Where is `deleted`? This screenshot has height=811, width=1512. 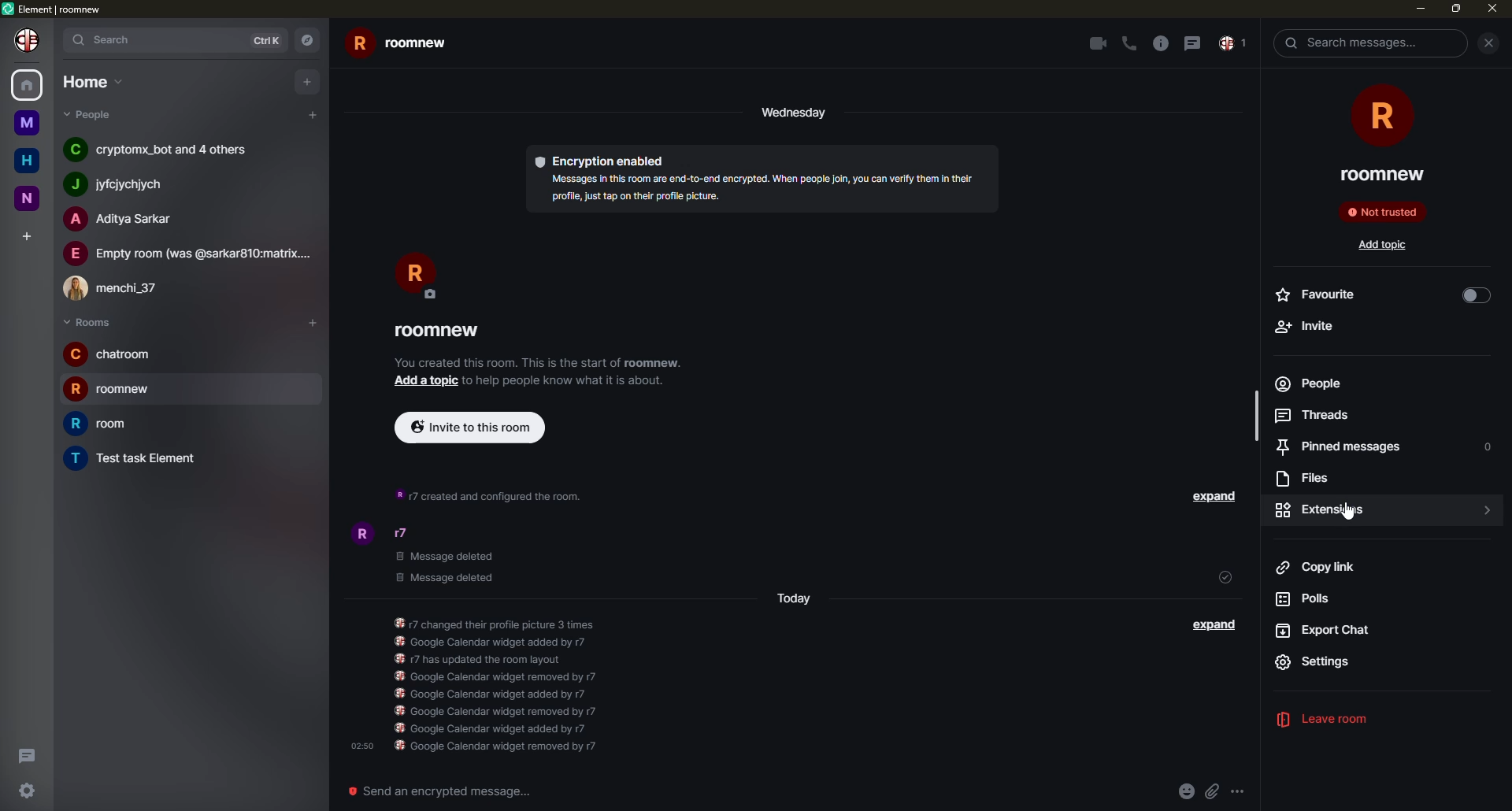
deleted is located at coordinates (446, 567).